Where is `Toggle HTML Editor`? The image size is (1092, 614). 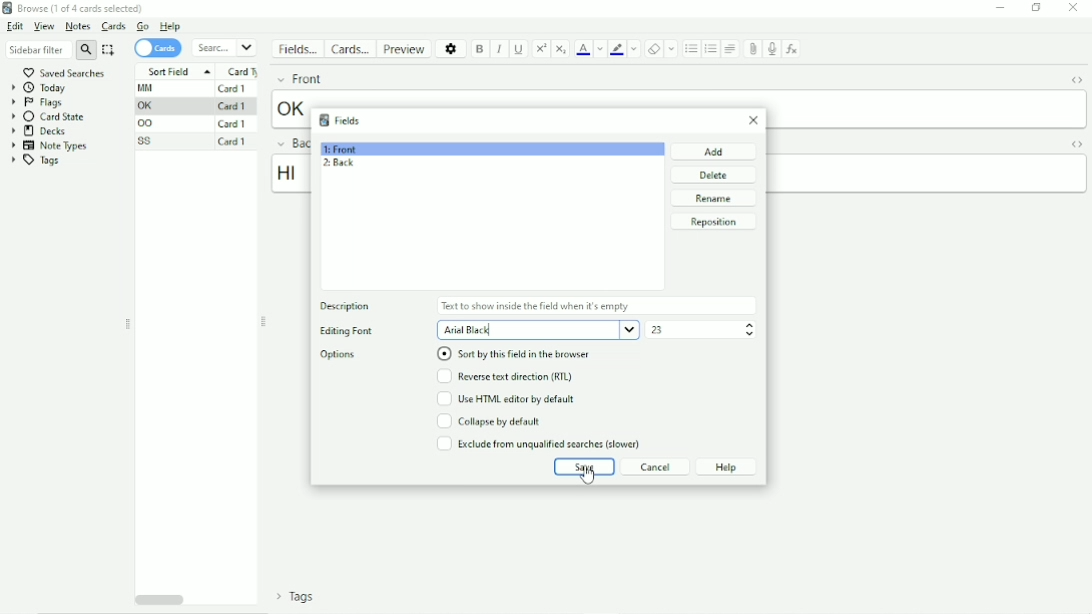
Toggle HTML Editor is located at coordinates (1074, 79).